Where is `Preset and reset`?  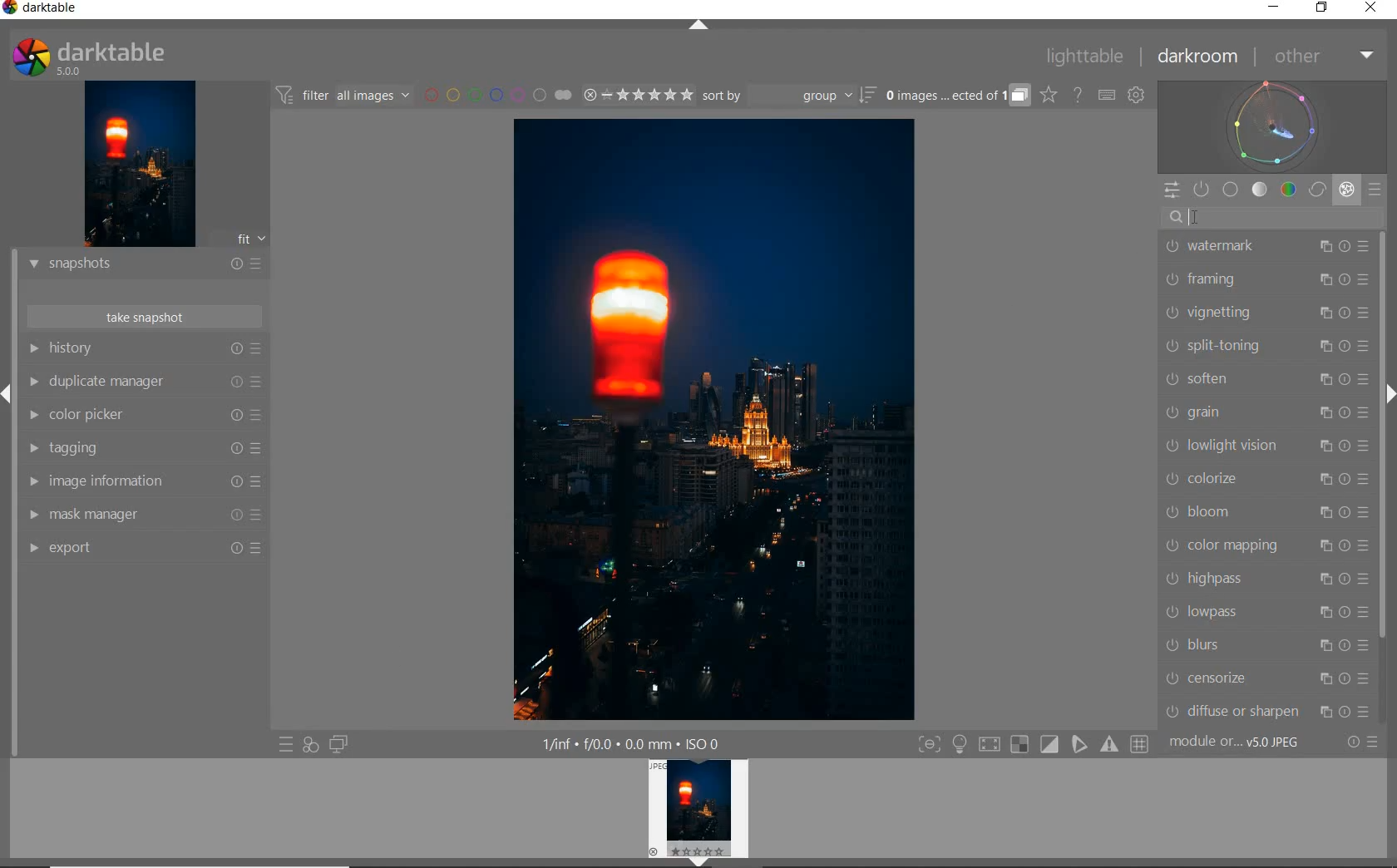 Preset and reset is located at coordinates (265, 263).